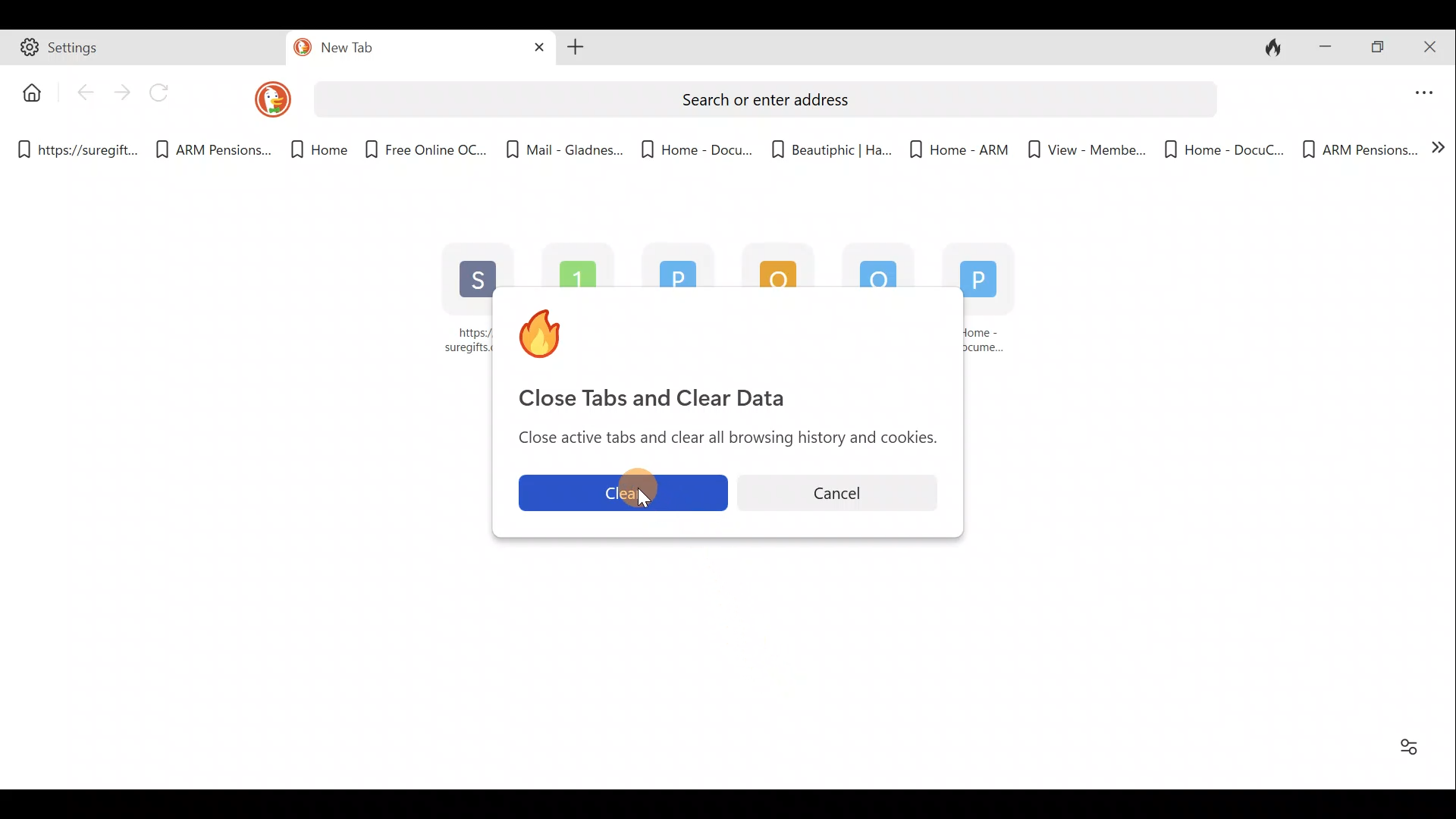 Image resolution: width=1456 pixels, height=819 pixels. What do you see at coordinates (1380, 48) in the screenshot?
I see `Restore down` at bounding box center [1380, 48].